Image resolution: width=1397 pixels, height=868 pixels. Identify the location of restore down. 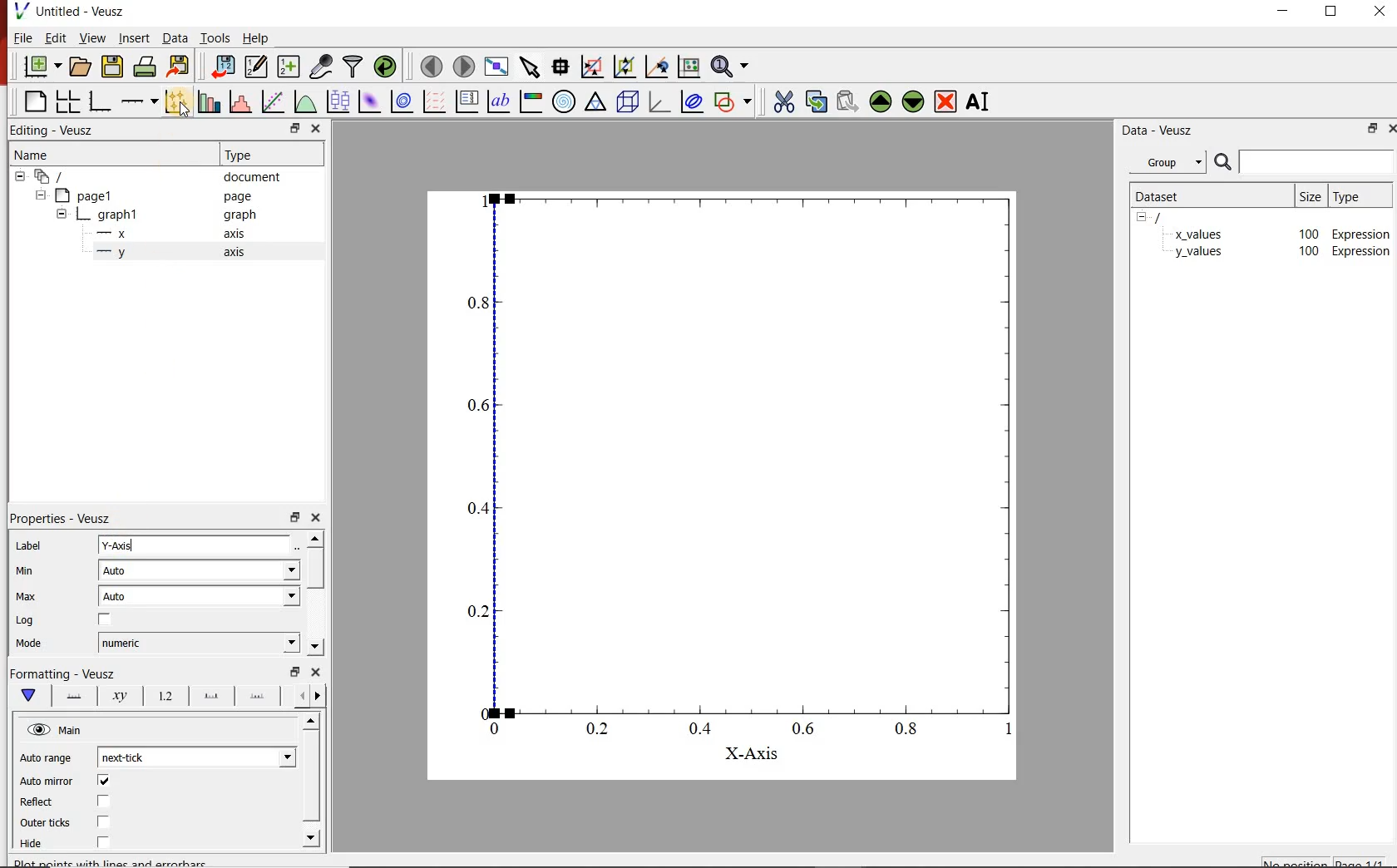
(1330, 12).